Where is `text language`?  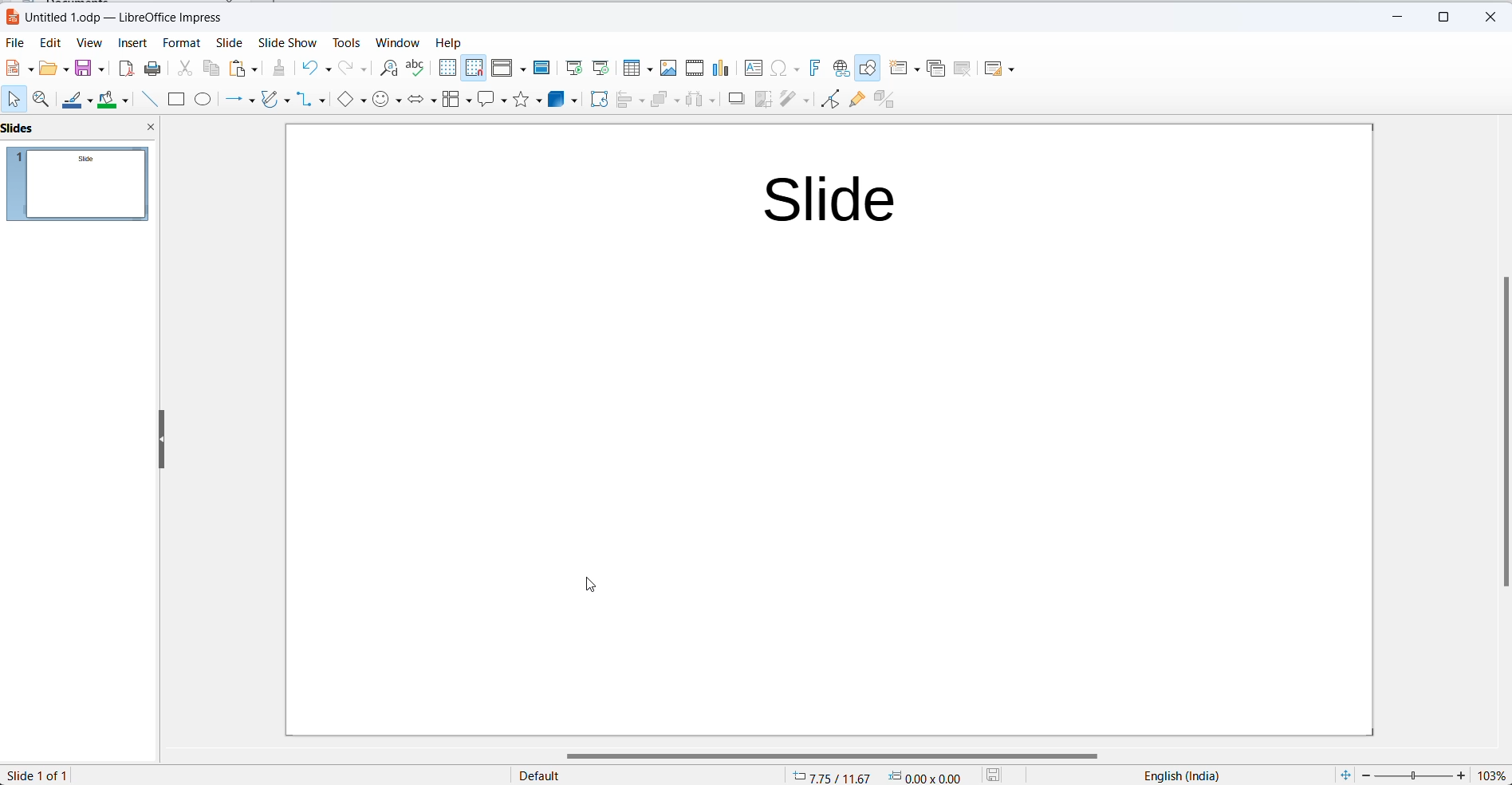
text language is located at coordinates (1173, 775).